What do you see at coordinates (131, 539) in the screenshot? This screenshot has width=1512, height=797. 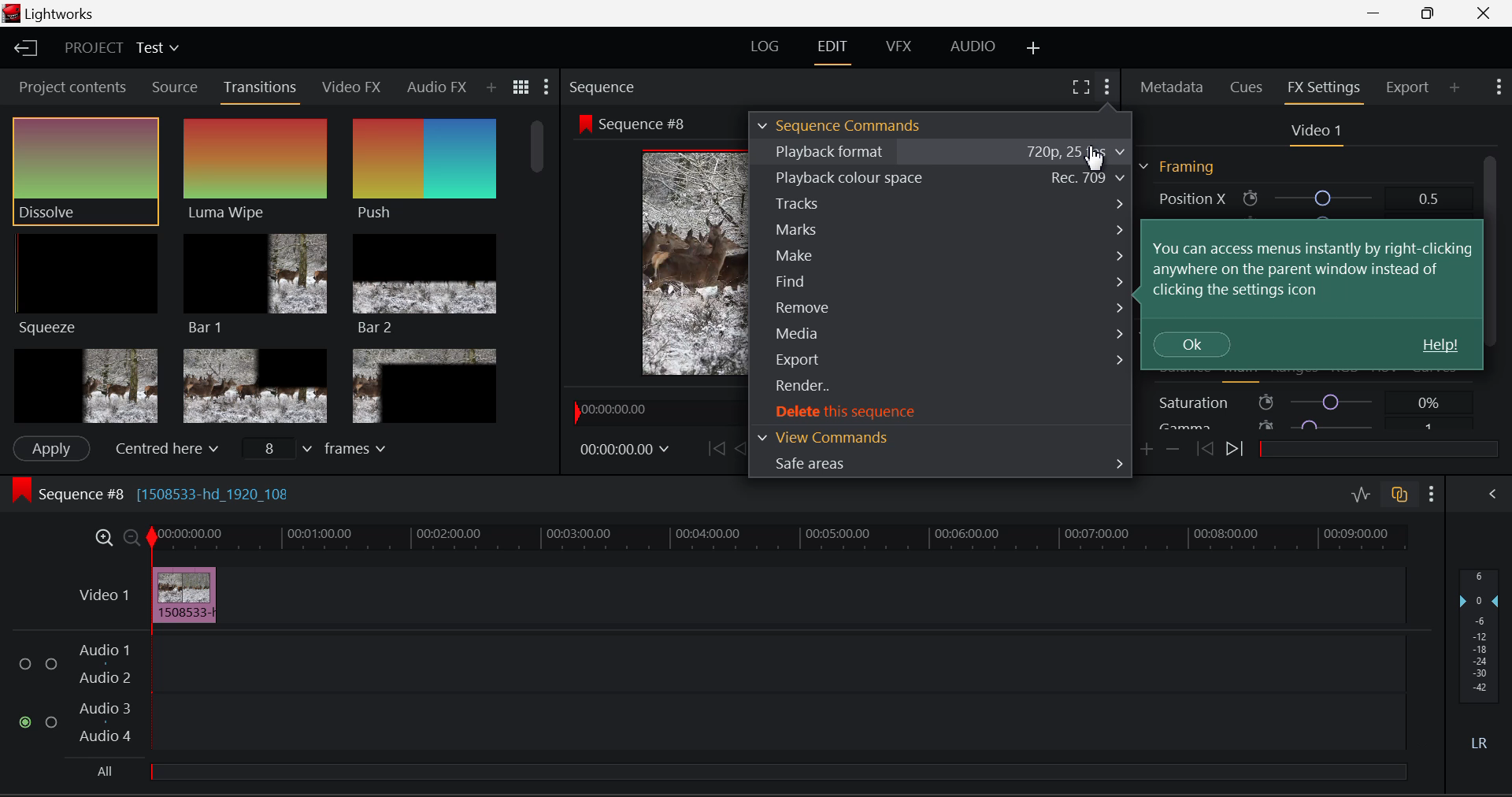 I see `Timeline Zoom Out` at bounding box center [131, 539].